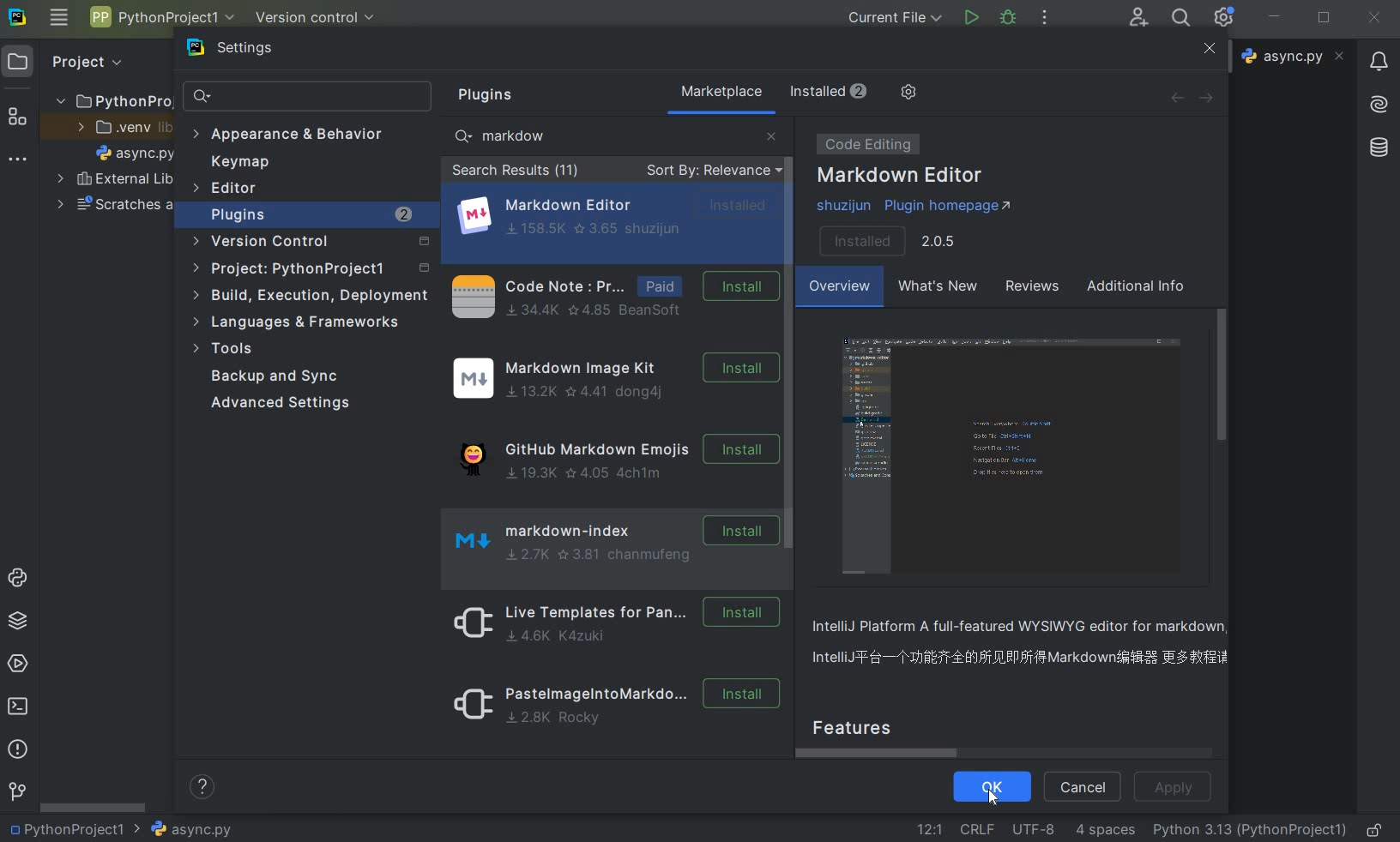 The image size is (1400, 842). Describe the element at coordinates (827, 92) in the screenshot. I see `installed (2)` at that location.